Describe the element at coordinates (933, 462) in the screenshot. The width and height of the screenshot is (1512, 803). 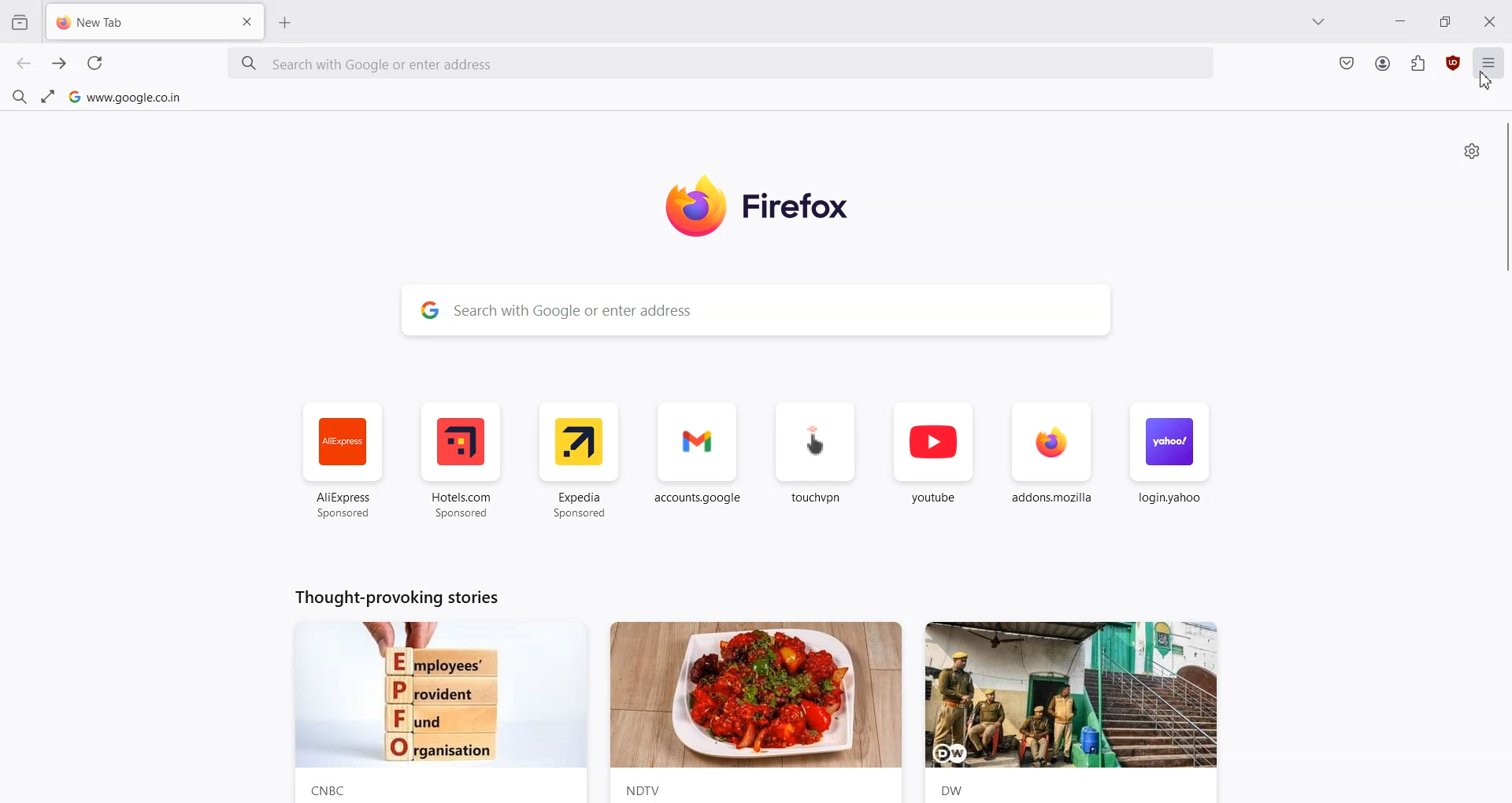
I see `youtube` at that location.